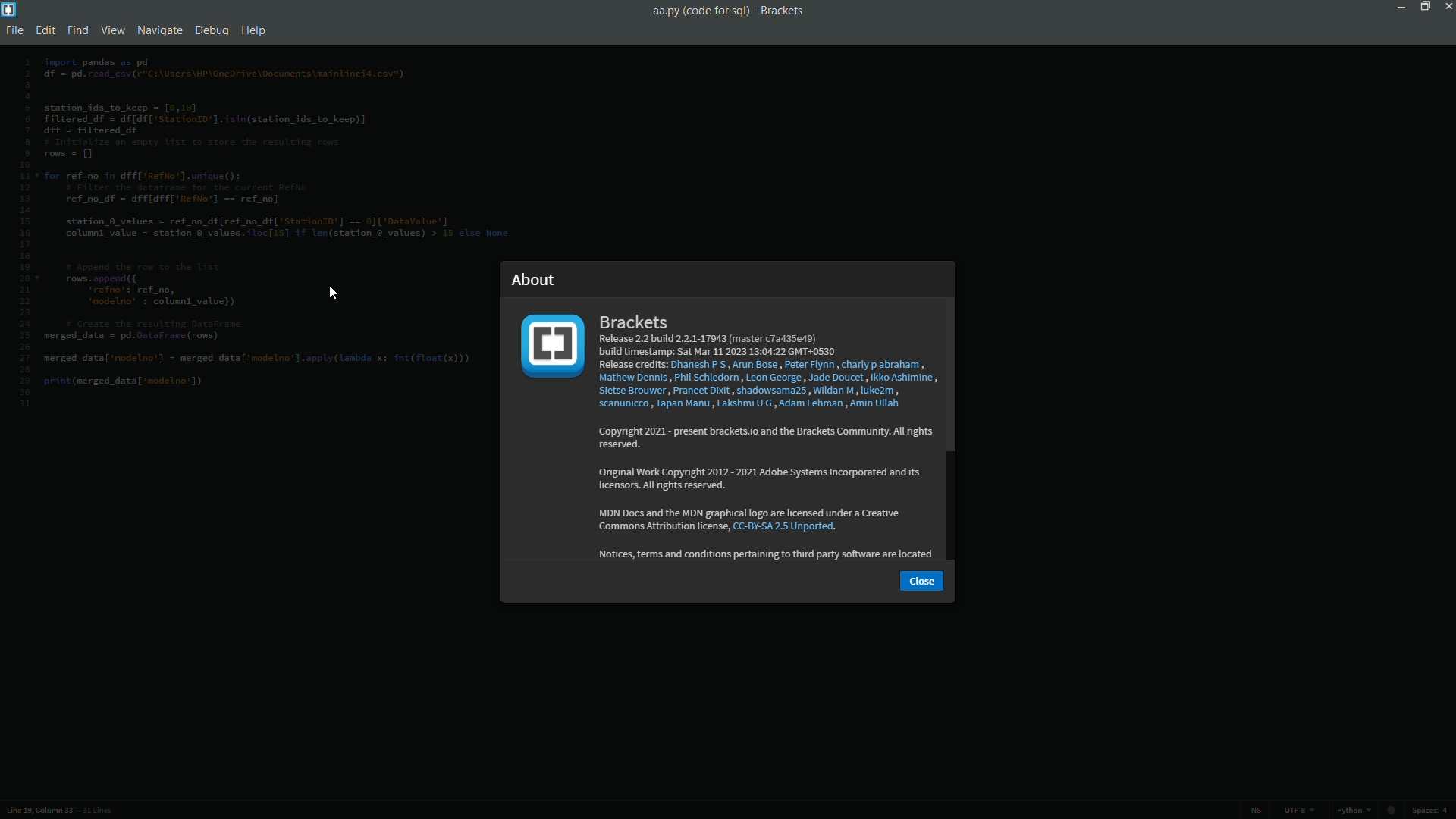 The height and width of the screenshot is (819, 1456). Describe the element at coordinates (10, 10) in the screenshot. I see `app icon` at that location.